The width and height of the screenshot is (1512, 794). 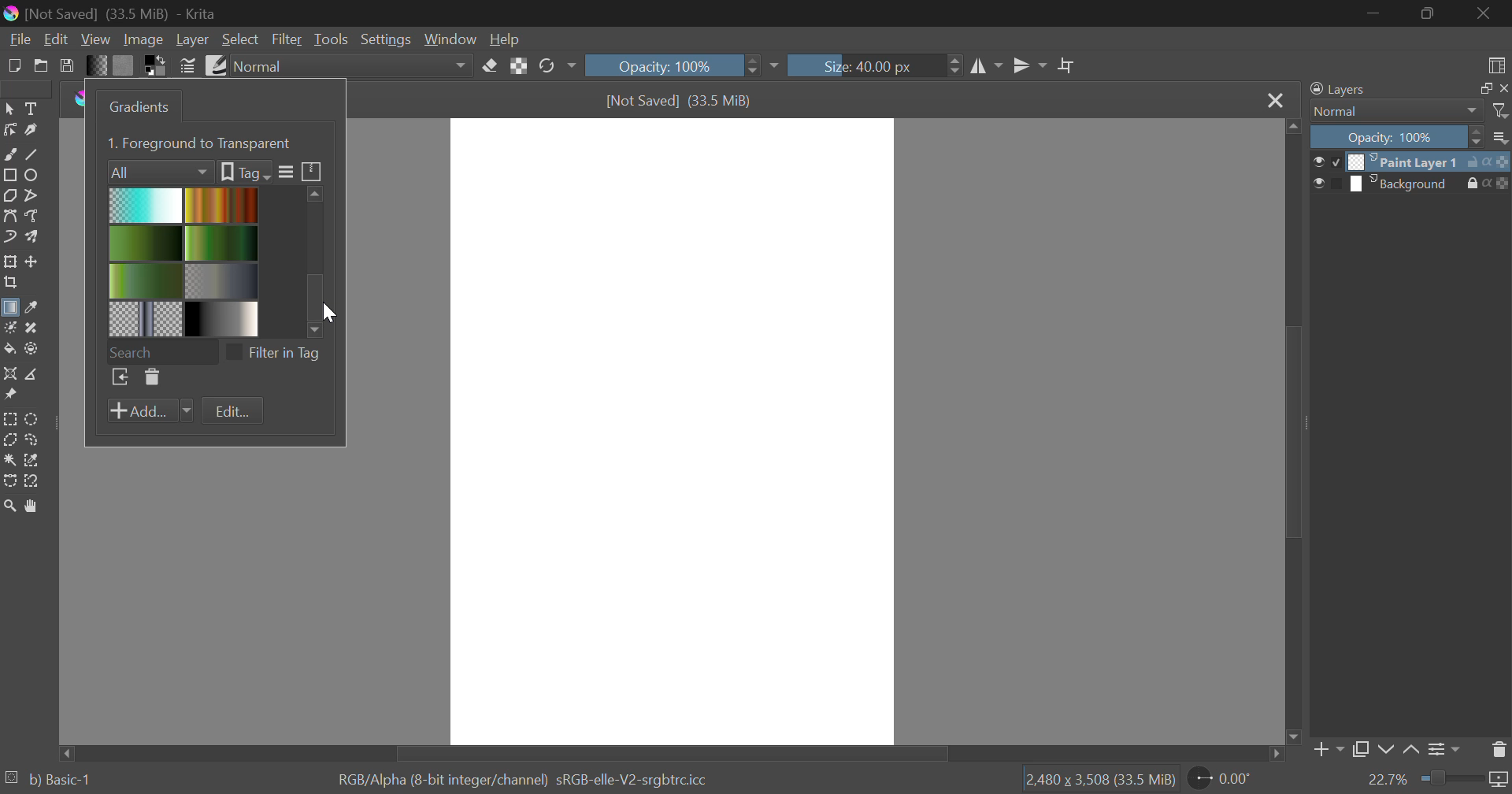 What do you see at coordinates (1481, 89) in the screenshot?
I see `full screen` at bounding box center [1481, 89].